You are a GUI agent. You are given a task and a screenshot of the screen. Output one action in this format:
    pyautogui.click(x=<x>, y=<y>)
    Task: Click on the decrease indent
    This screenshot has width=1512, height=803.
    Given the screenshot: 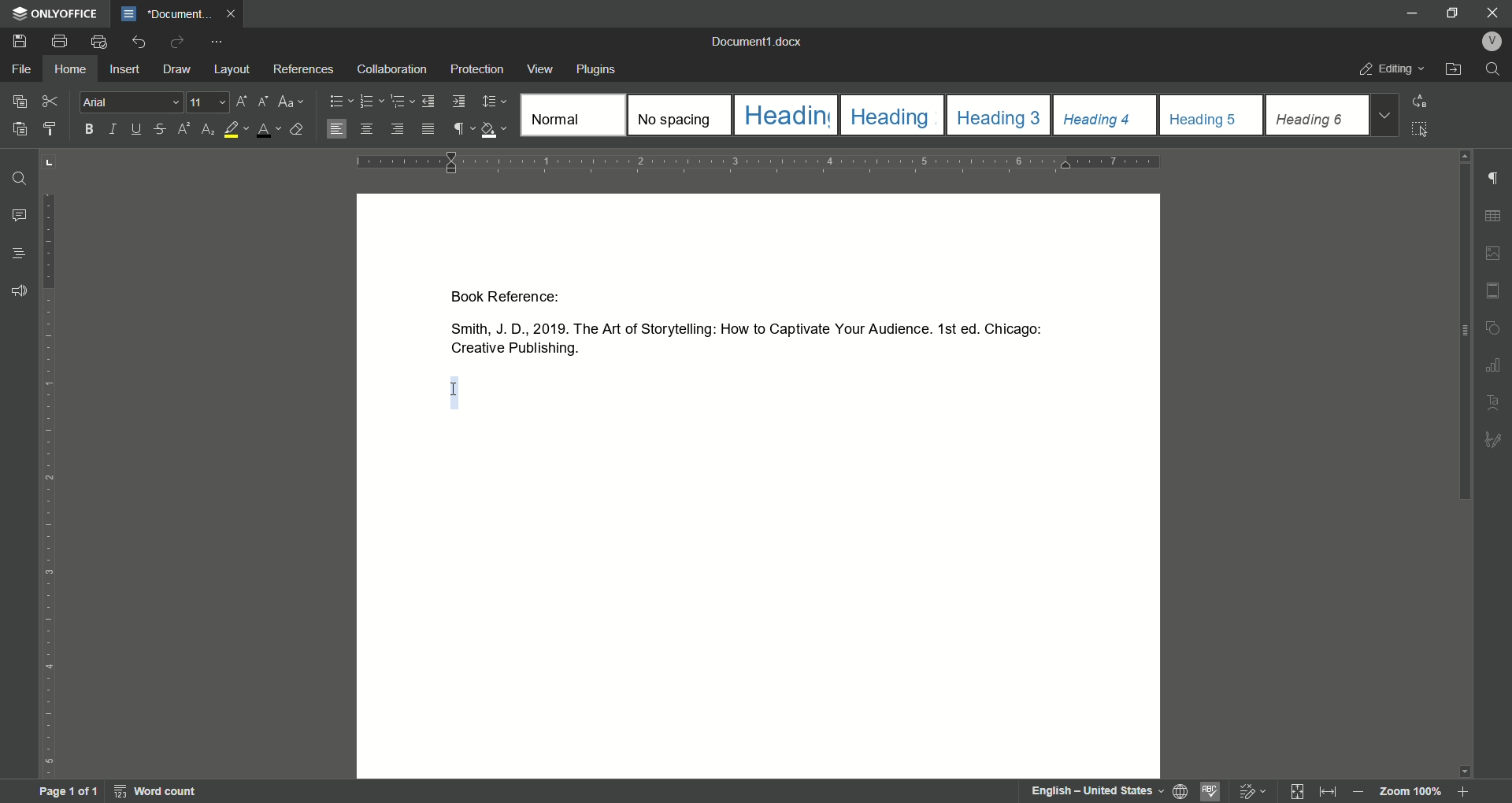 What is the action you would take?
    pyautogui.click(x=428, y=102)
    